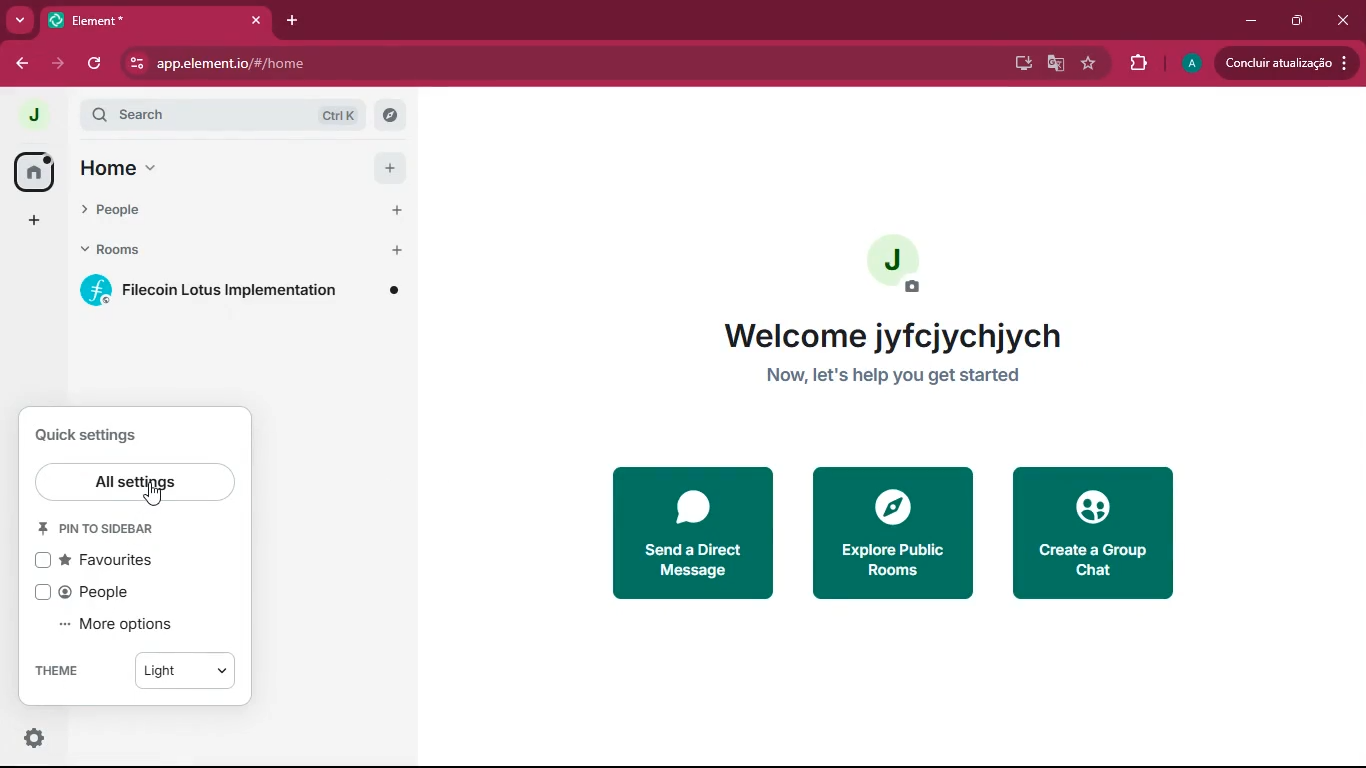 This screenshot has height=768, width=1366. What do you see at coordinates (1190, 64) in the screenshot?
I see `profile` at bounding box center [1190, 64].